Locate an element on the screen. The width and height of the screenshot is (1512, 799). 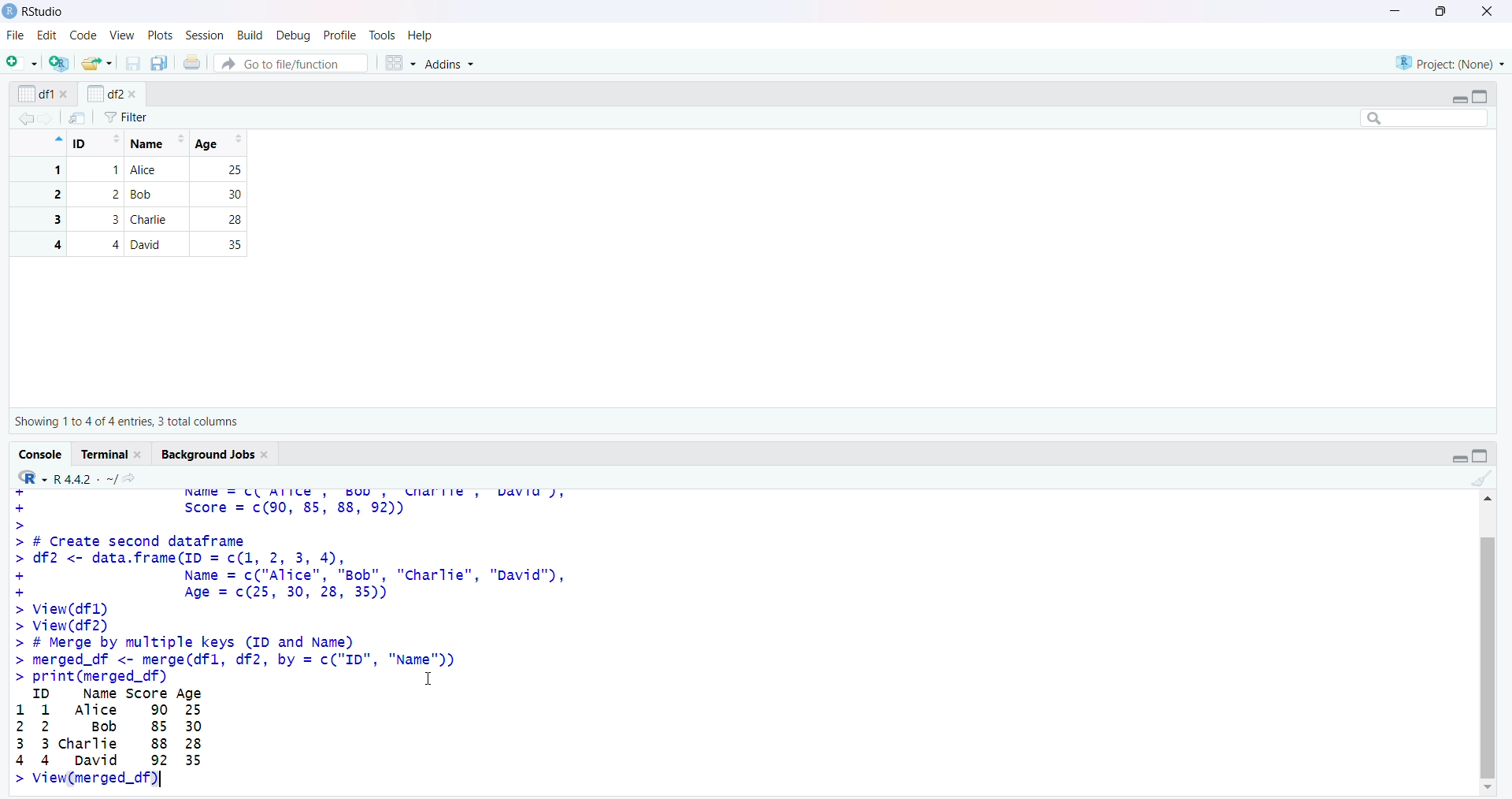
build is located at coordinates (252, 36).